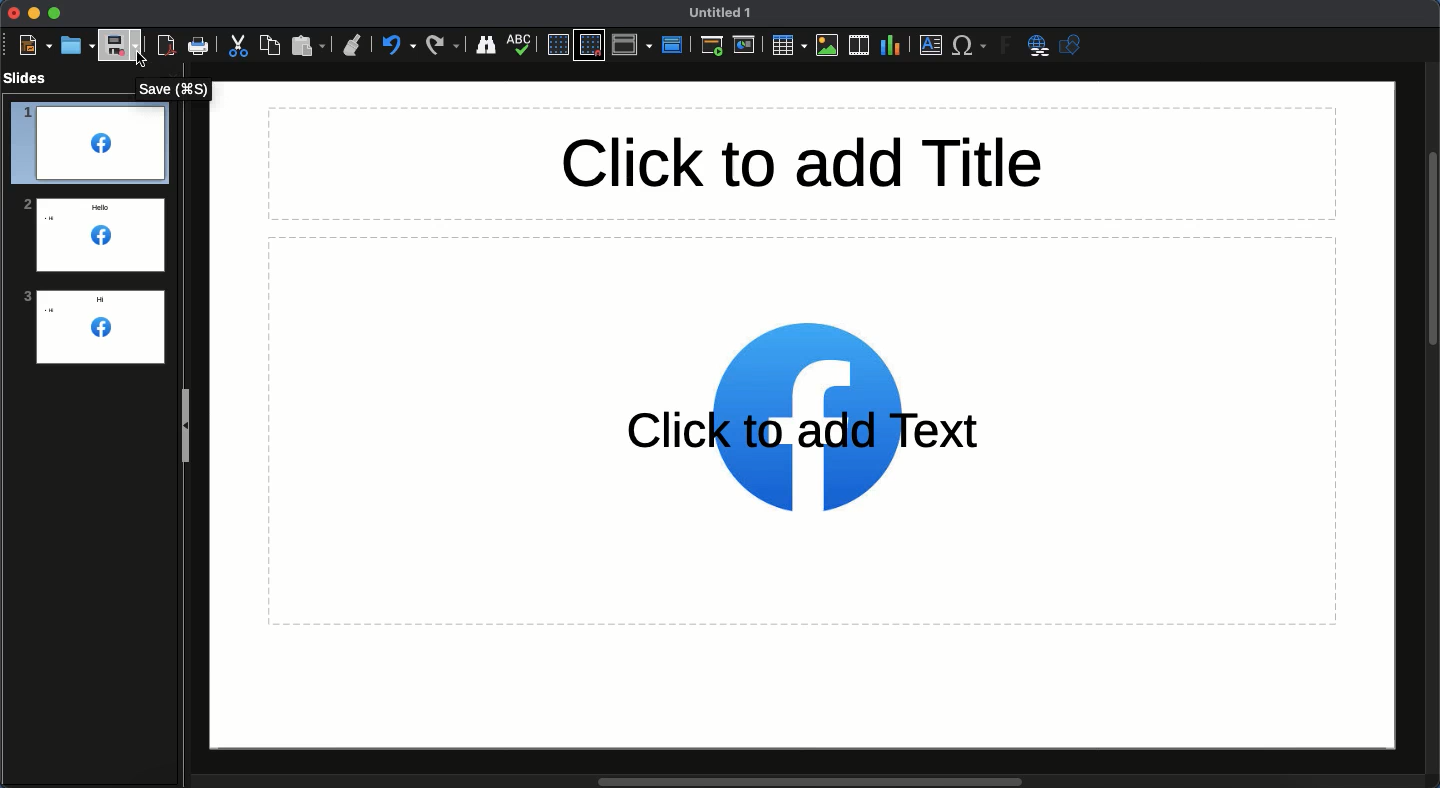 This screenshot has height=788, width=1440. Describe the element at coordinates (54, 14) in the screenshot. I see `Maximize` at that location.